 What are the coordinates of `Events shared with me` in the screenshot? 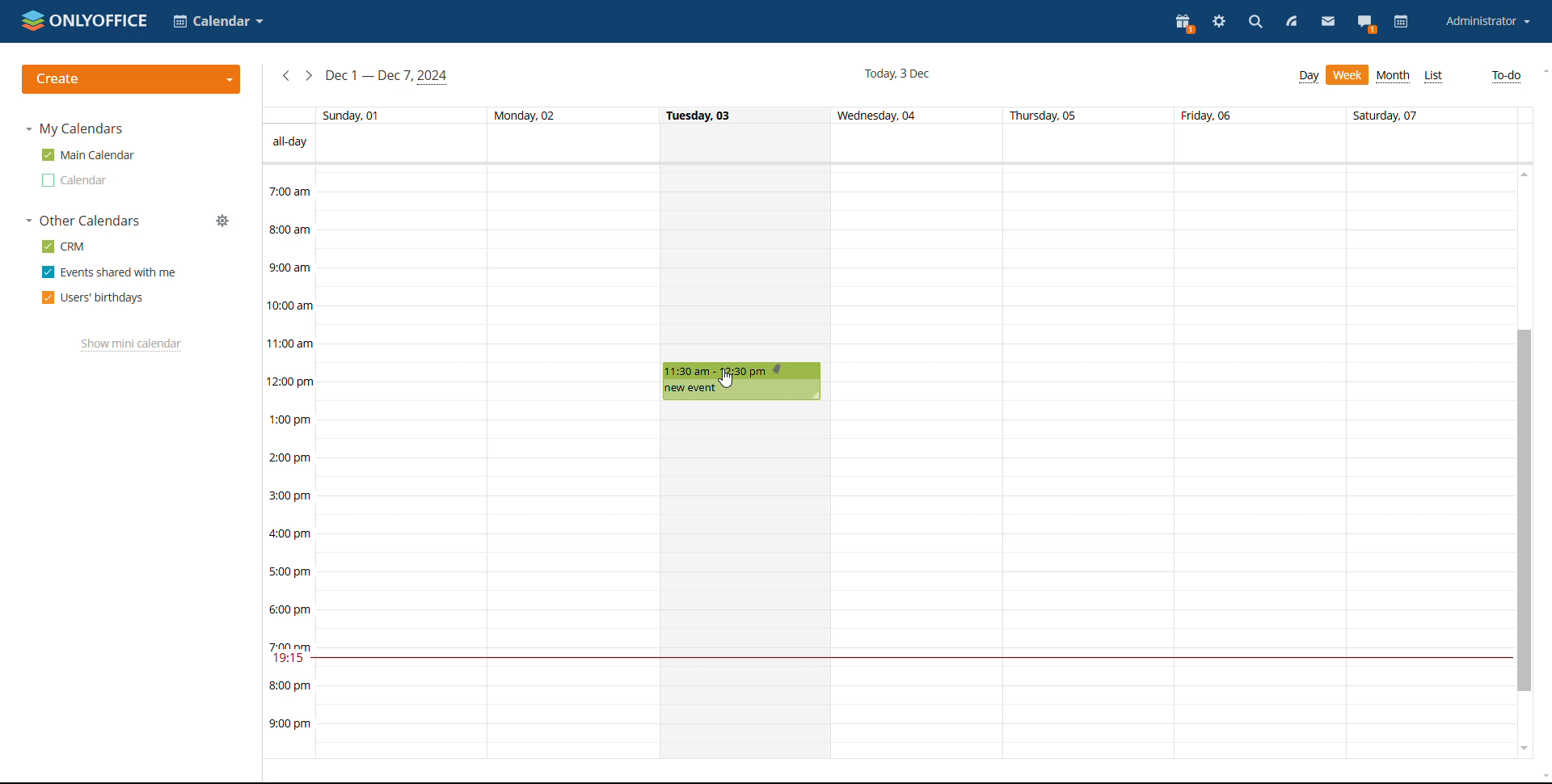 It's located at (107, 272).